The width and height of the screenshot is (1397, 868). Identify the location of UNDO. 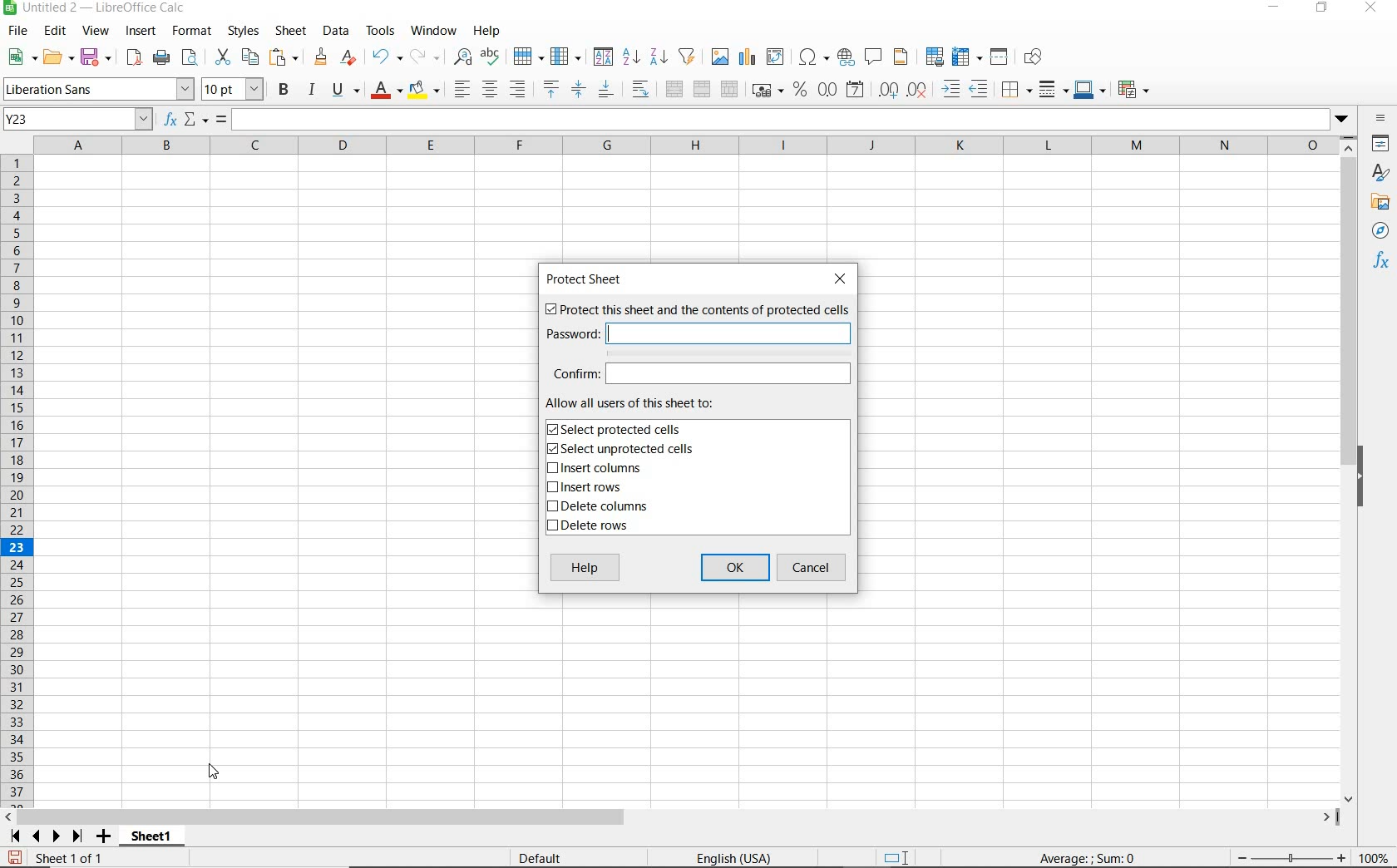
(386, 57).